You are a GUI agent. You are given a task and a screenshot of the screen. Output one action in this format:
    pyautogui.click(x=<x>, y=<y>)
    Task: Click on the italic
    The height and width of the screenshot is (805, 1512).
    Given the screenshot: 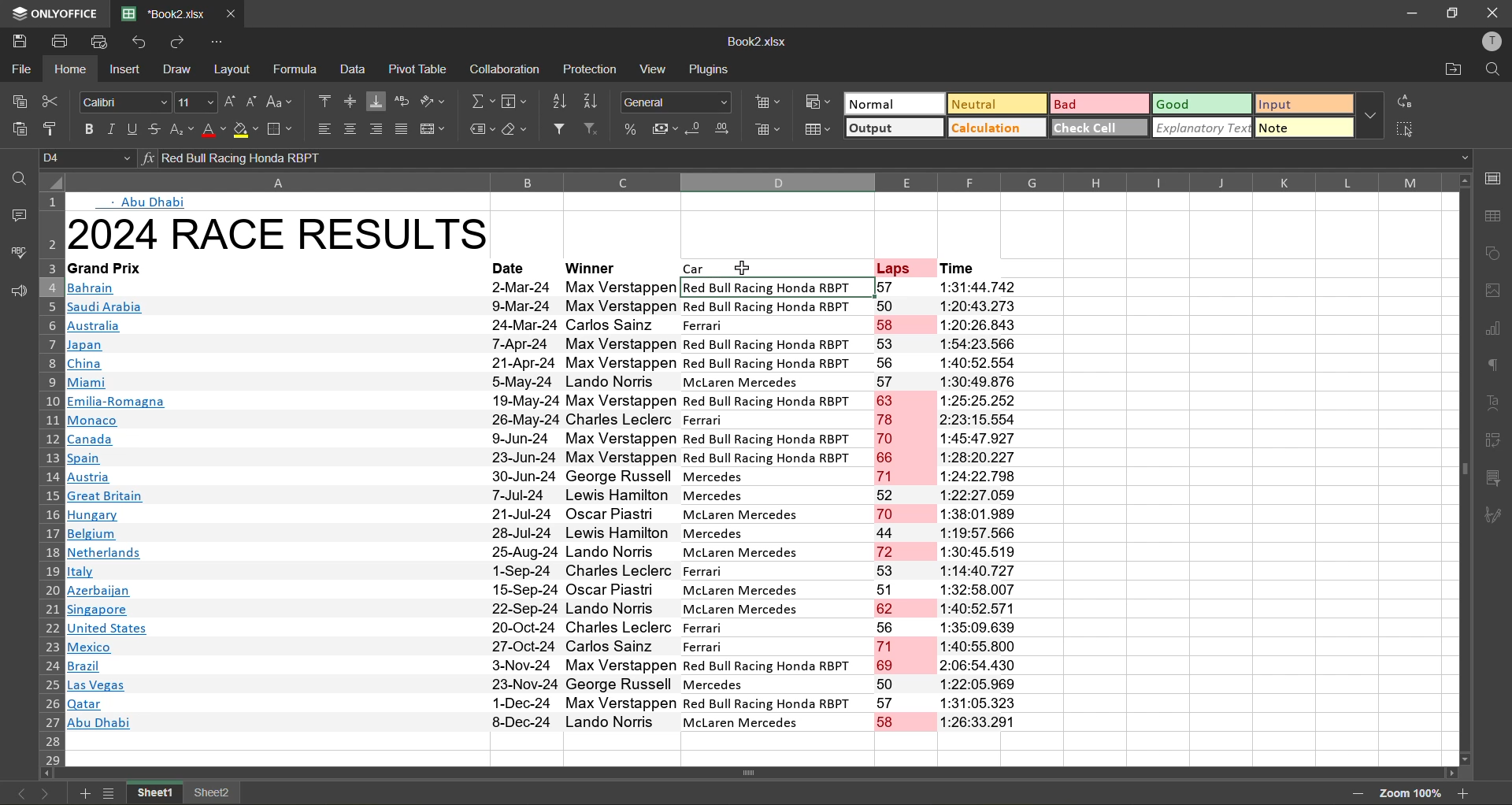 What is the action you would take?
    pyautogui.click(x=114, y=129)
    